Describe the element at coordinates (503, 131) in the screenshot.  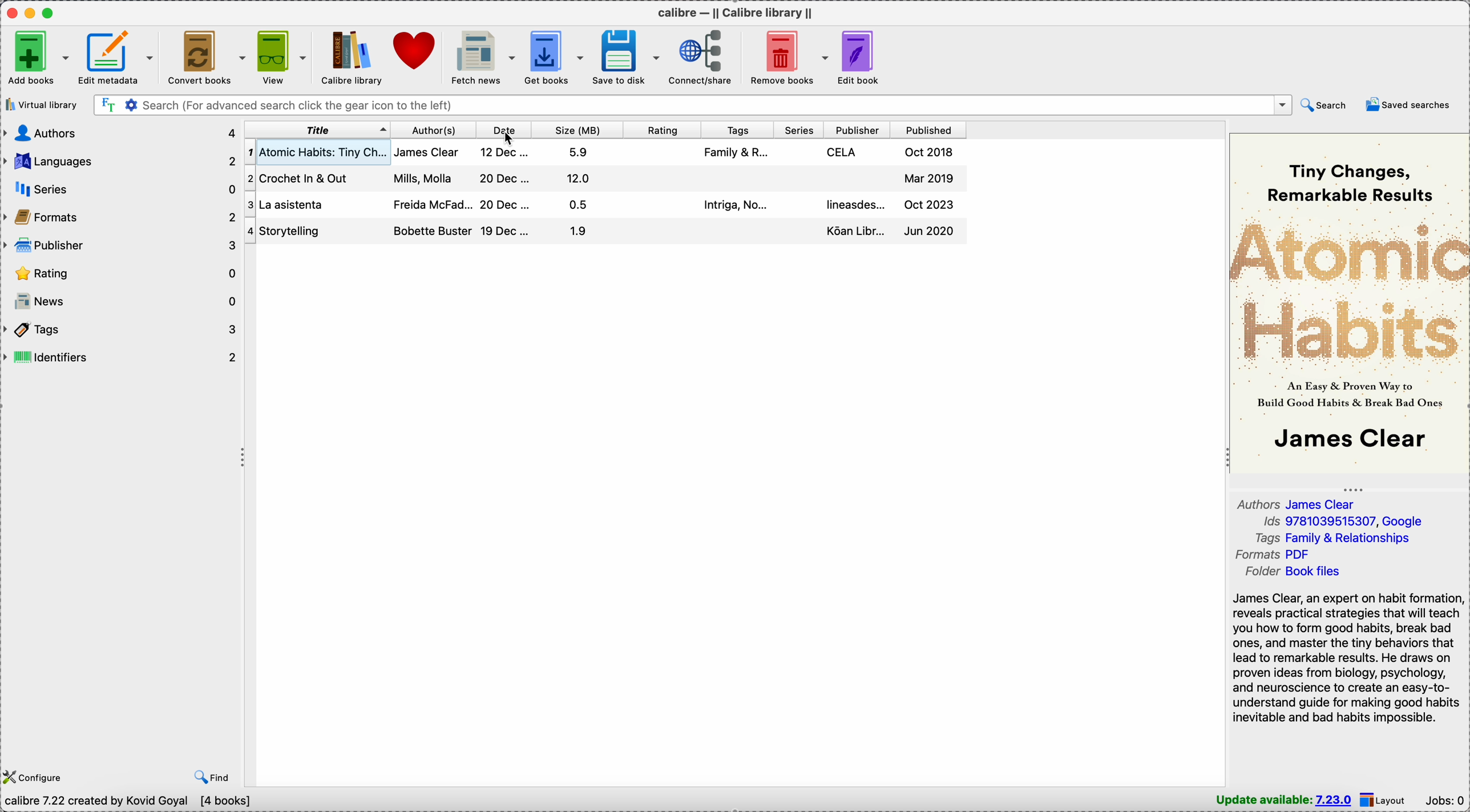
I see `date` at that location.